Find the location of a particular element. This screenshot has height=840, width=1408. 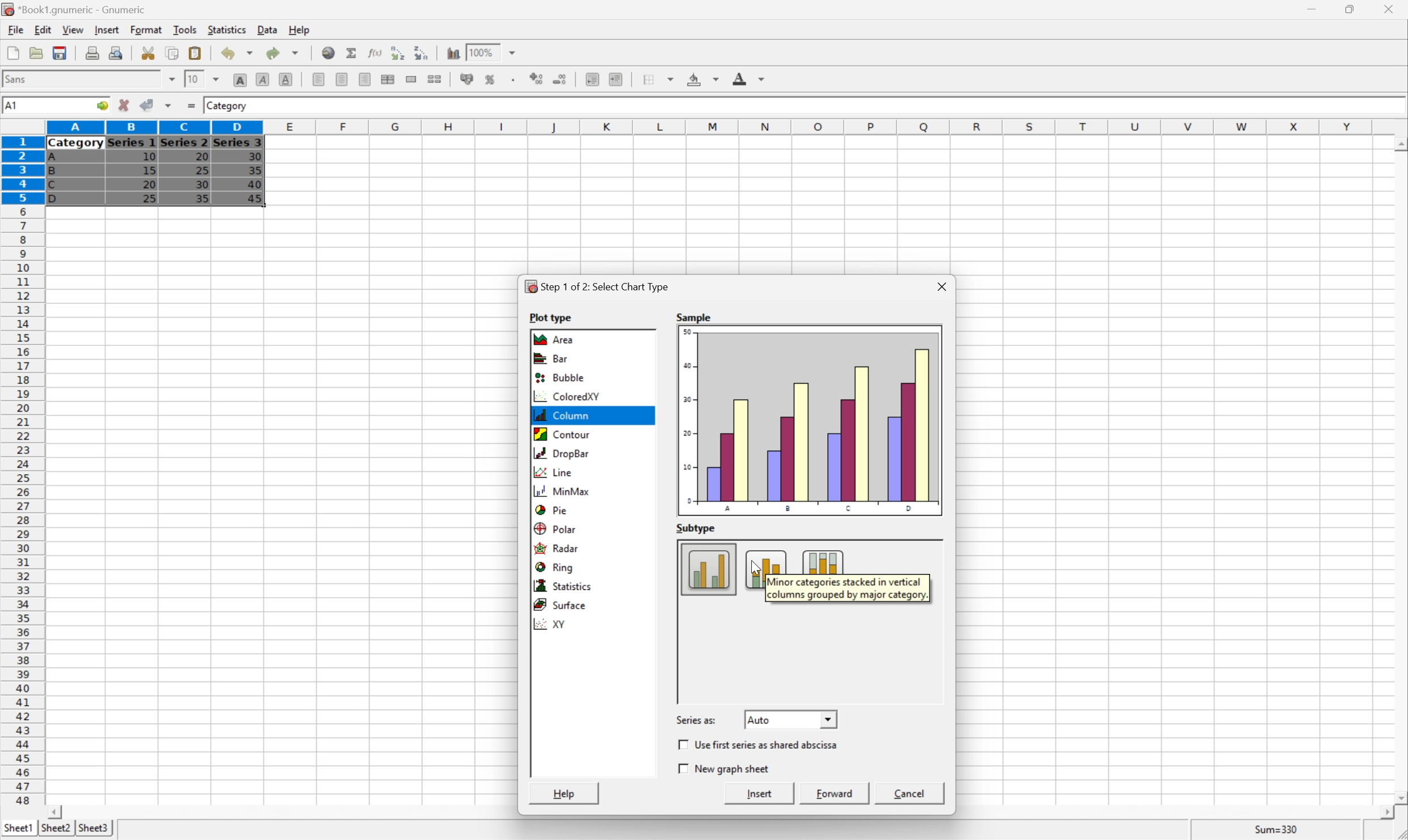

Column names is located at coordinates (713, 128).